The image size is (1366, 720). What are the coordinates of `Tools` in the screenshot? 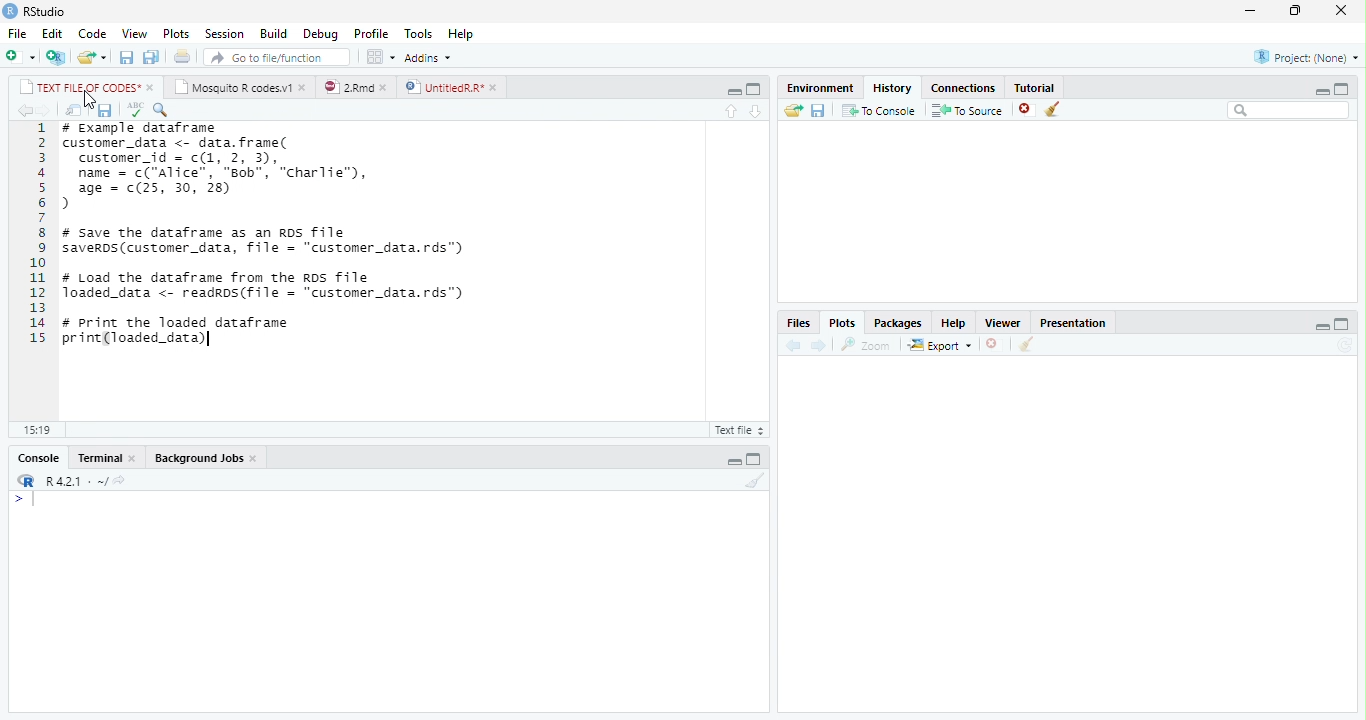 It's located at (418, 32).